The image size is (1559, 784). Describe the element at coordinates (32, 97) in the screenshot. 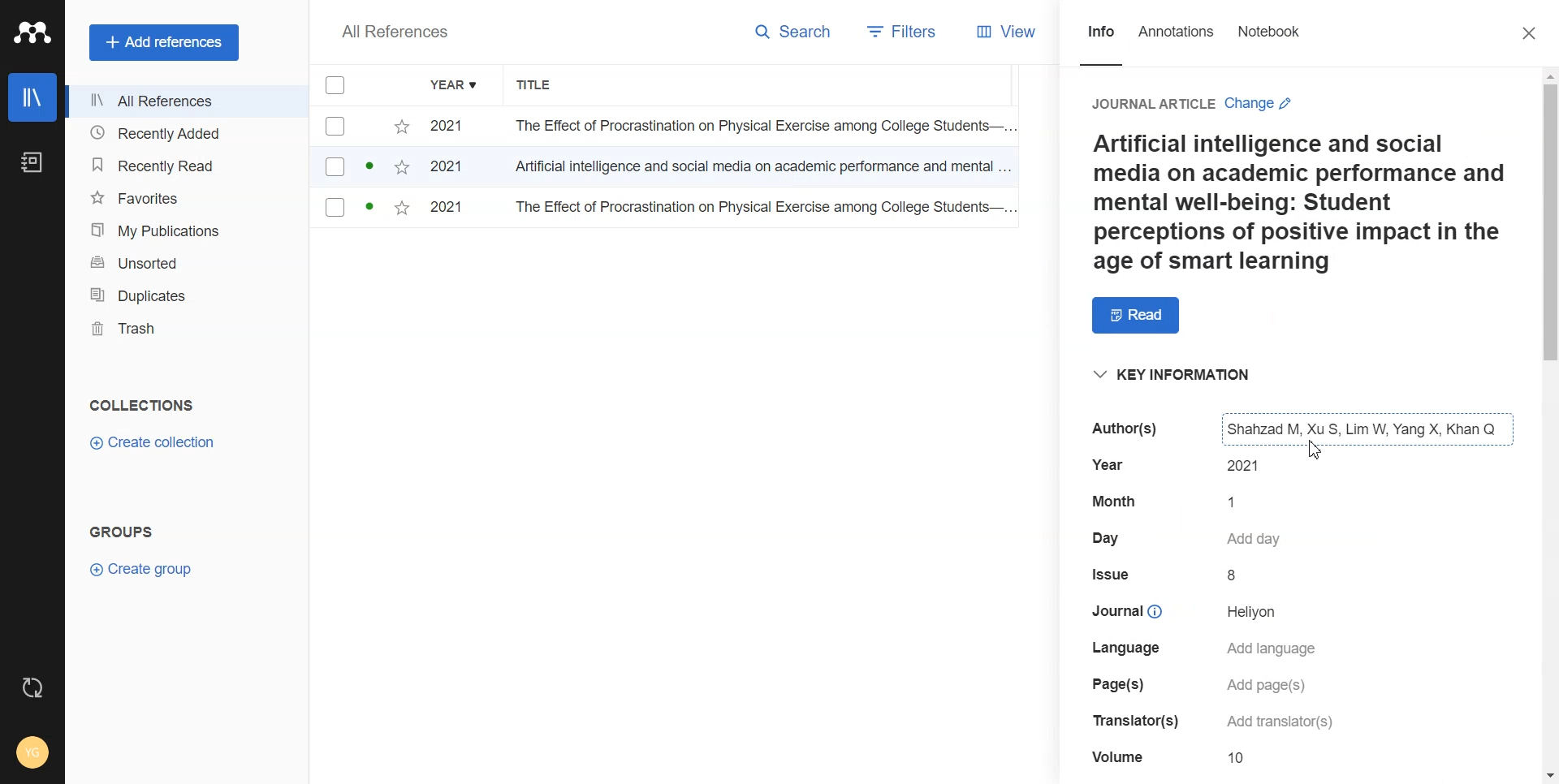

I see `Library` at that location.